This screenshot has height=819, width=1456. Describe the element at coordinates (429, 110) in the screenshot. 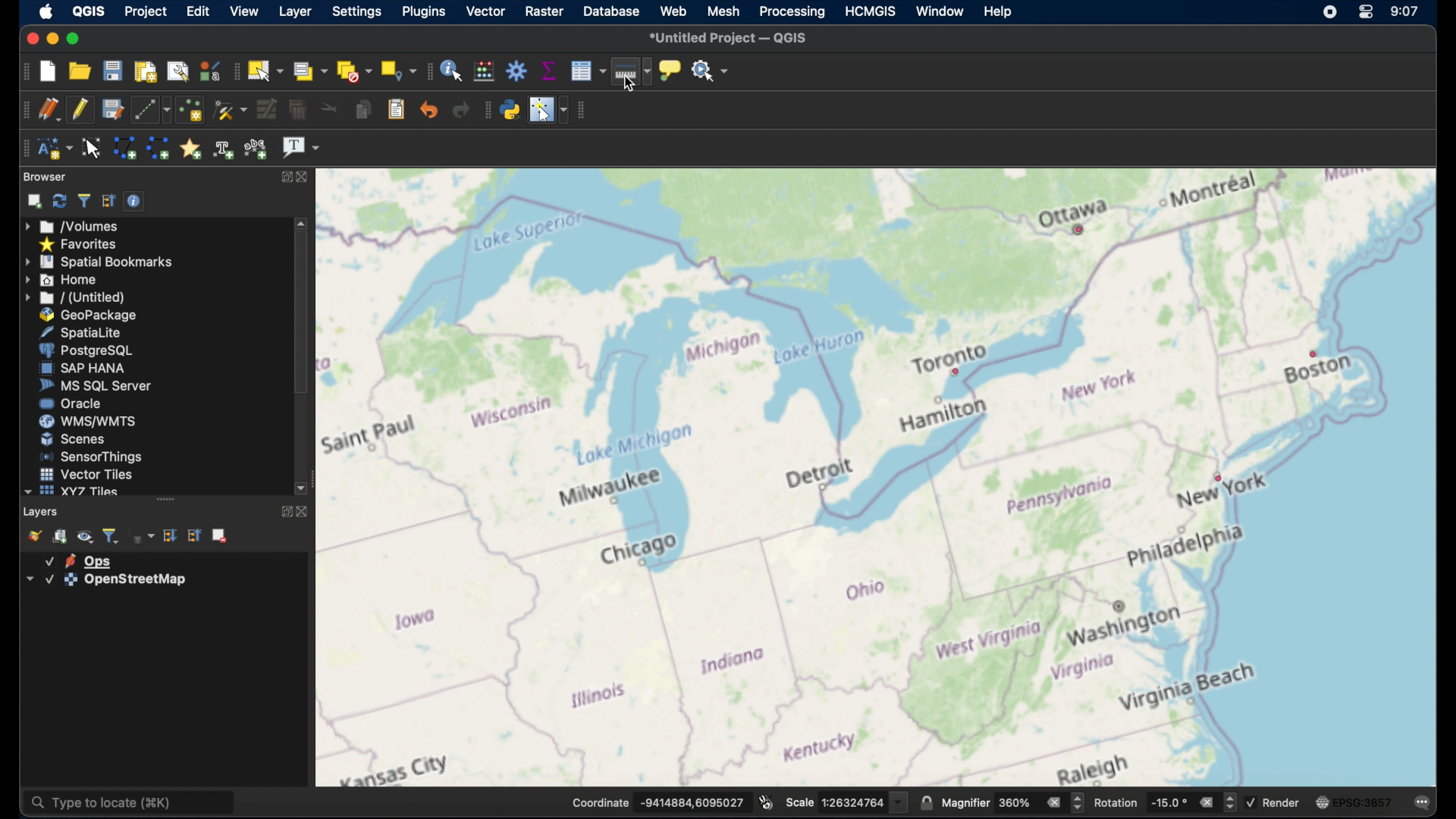

I see `undo` at that location.